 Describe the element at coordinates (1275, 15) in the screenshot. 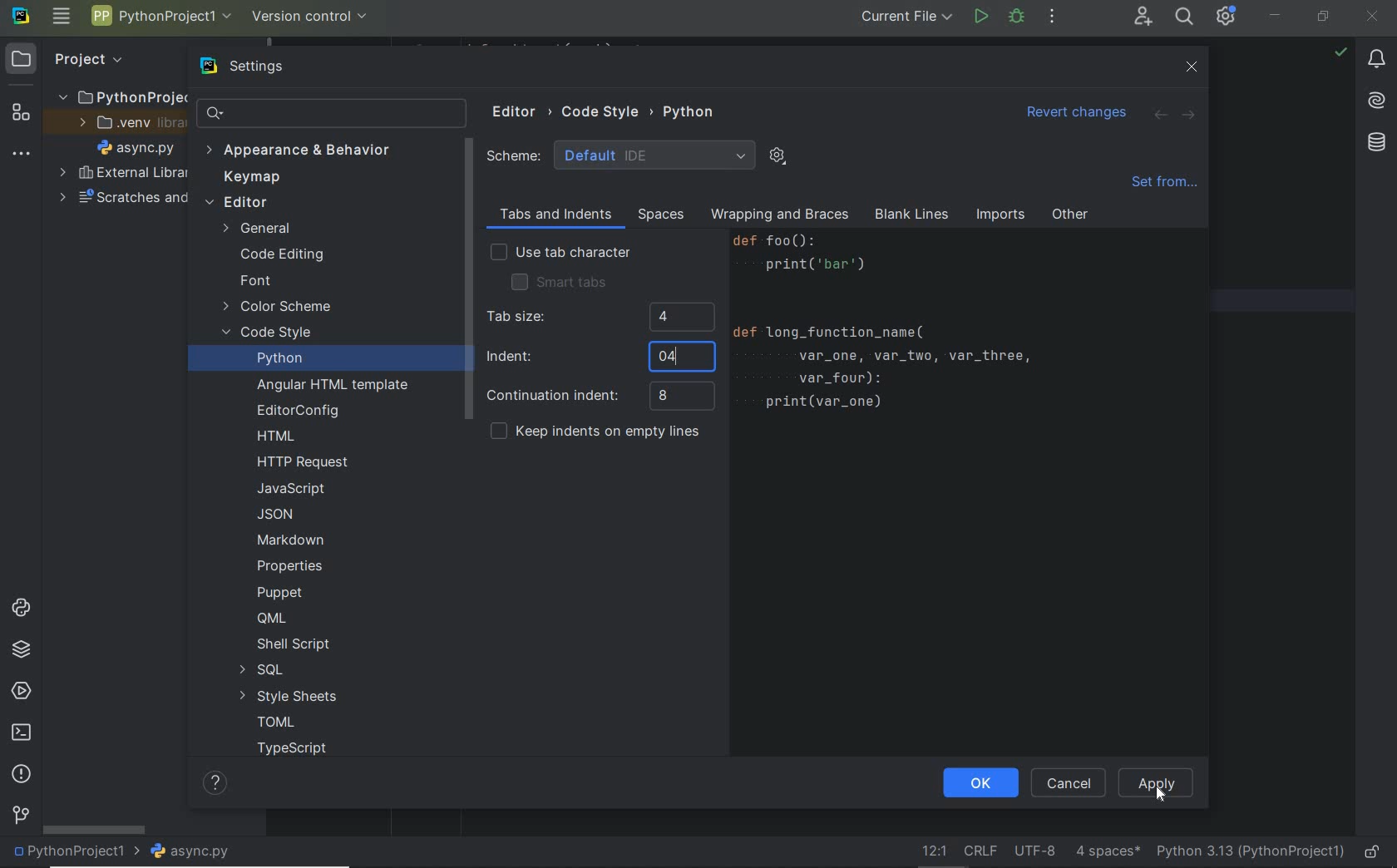

I see `minimize` at that location.